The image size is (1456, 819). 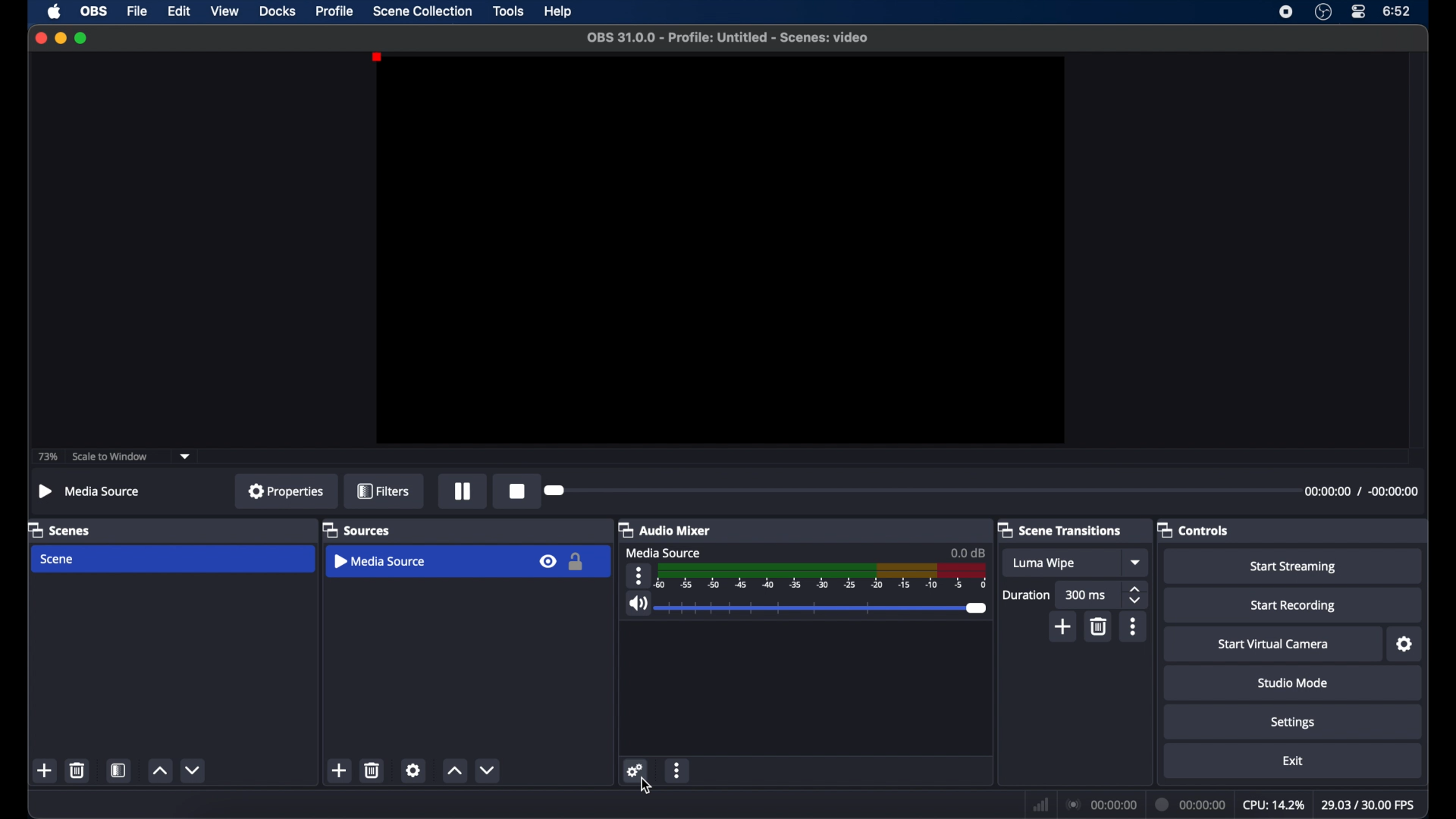 I want to click on settings, so click(x=1405, y=645).